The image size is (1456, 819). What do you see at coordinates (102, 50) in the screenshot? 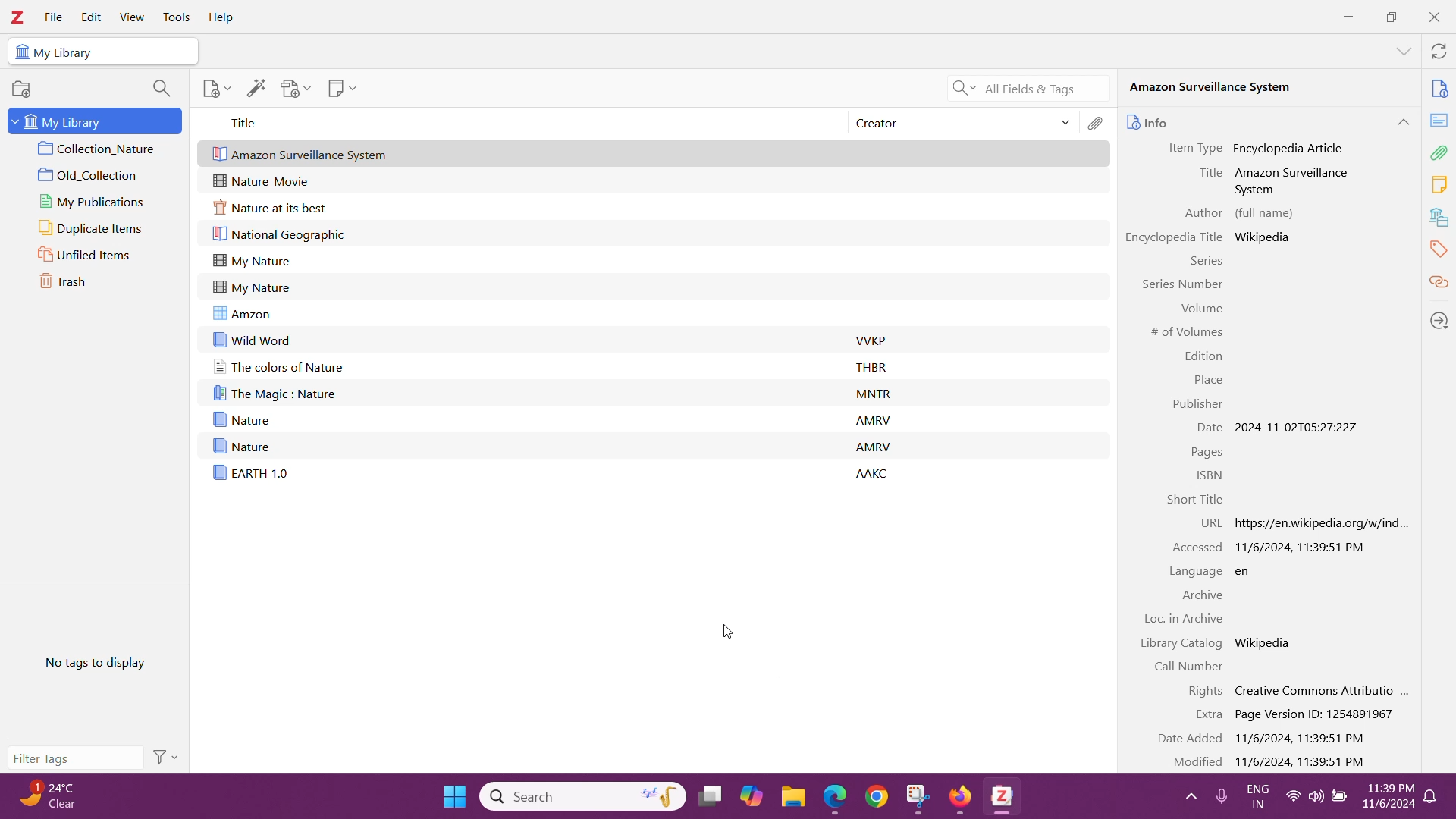
I see `My Library` at bounding box center [102, 50].